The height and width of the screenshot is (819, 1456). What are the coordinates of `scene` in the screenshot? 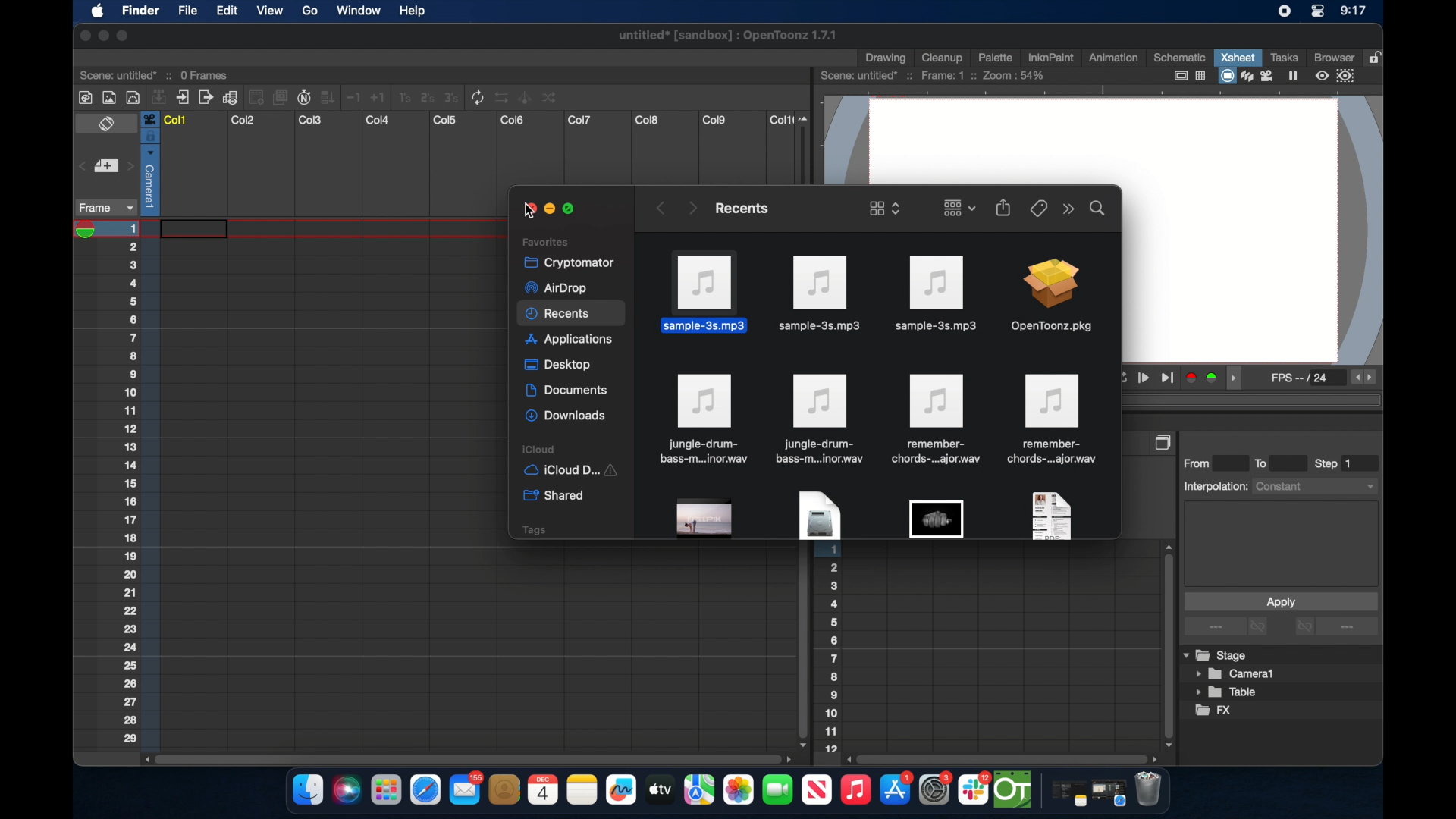 It's located at (155, 74).